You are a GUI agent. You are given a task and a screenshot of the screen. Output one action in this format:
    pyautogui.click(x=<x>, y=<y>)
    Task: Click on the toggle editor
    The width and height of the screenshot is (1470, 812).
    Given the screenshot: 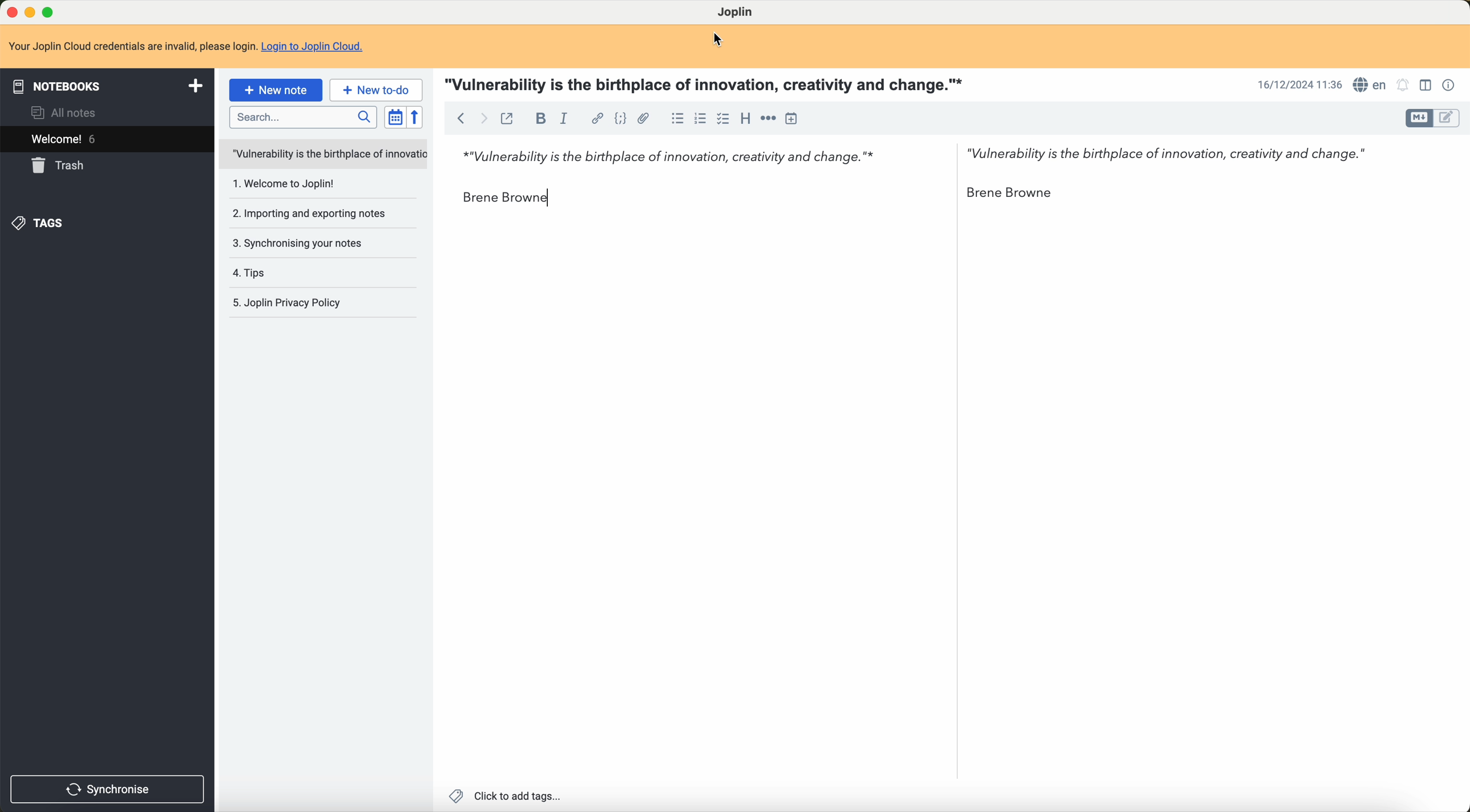 What is the action you would take?
    pyautogui.click(x=1447, y=120)
    